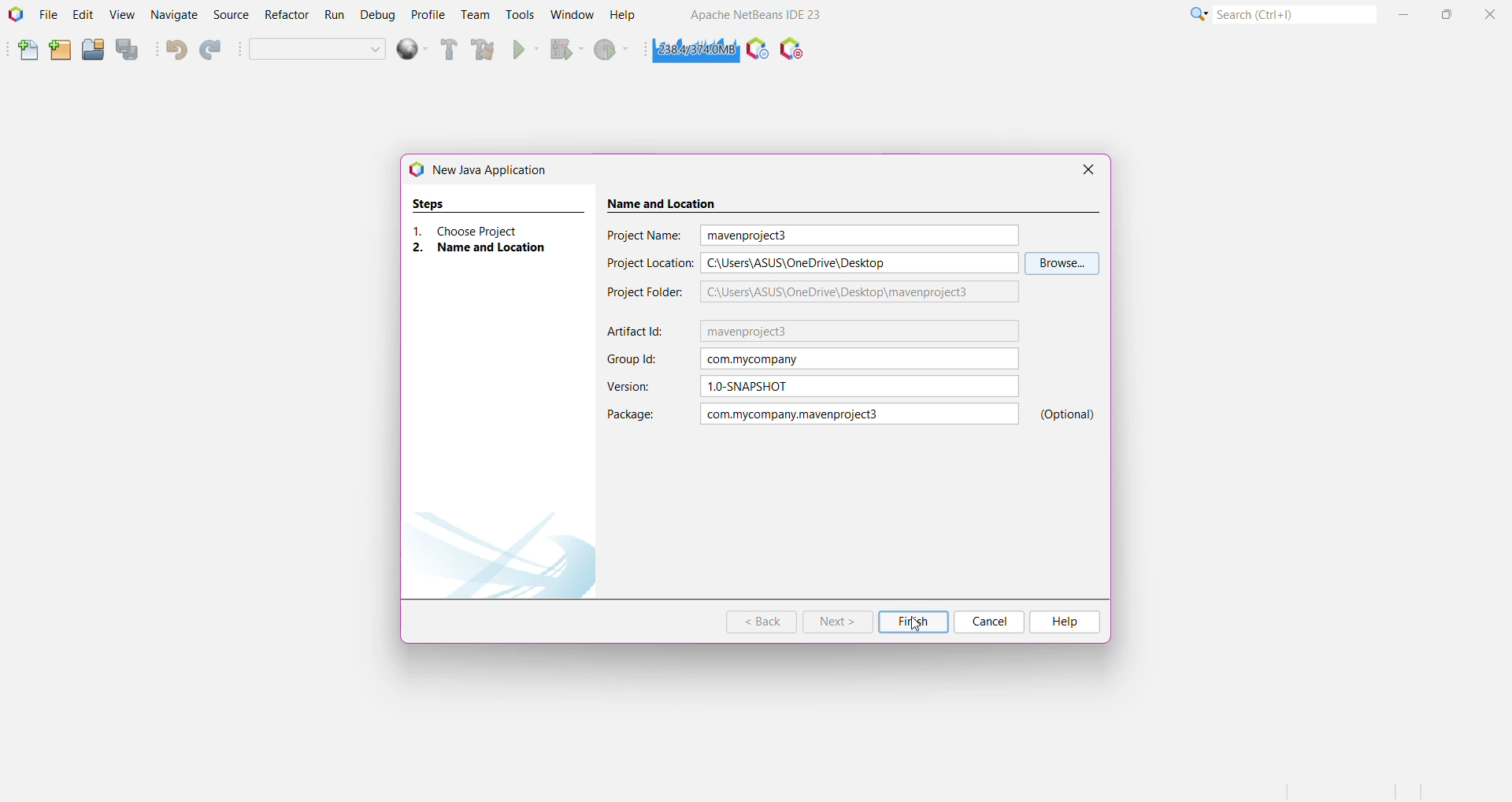 This screenshot has height=802, width=1512. Describe the element at coordinates (174, 16) in the screenshot. I see `Navigate` at that location.